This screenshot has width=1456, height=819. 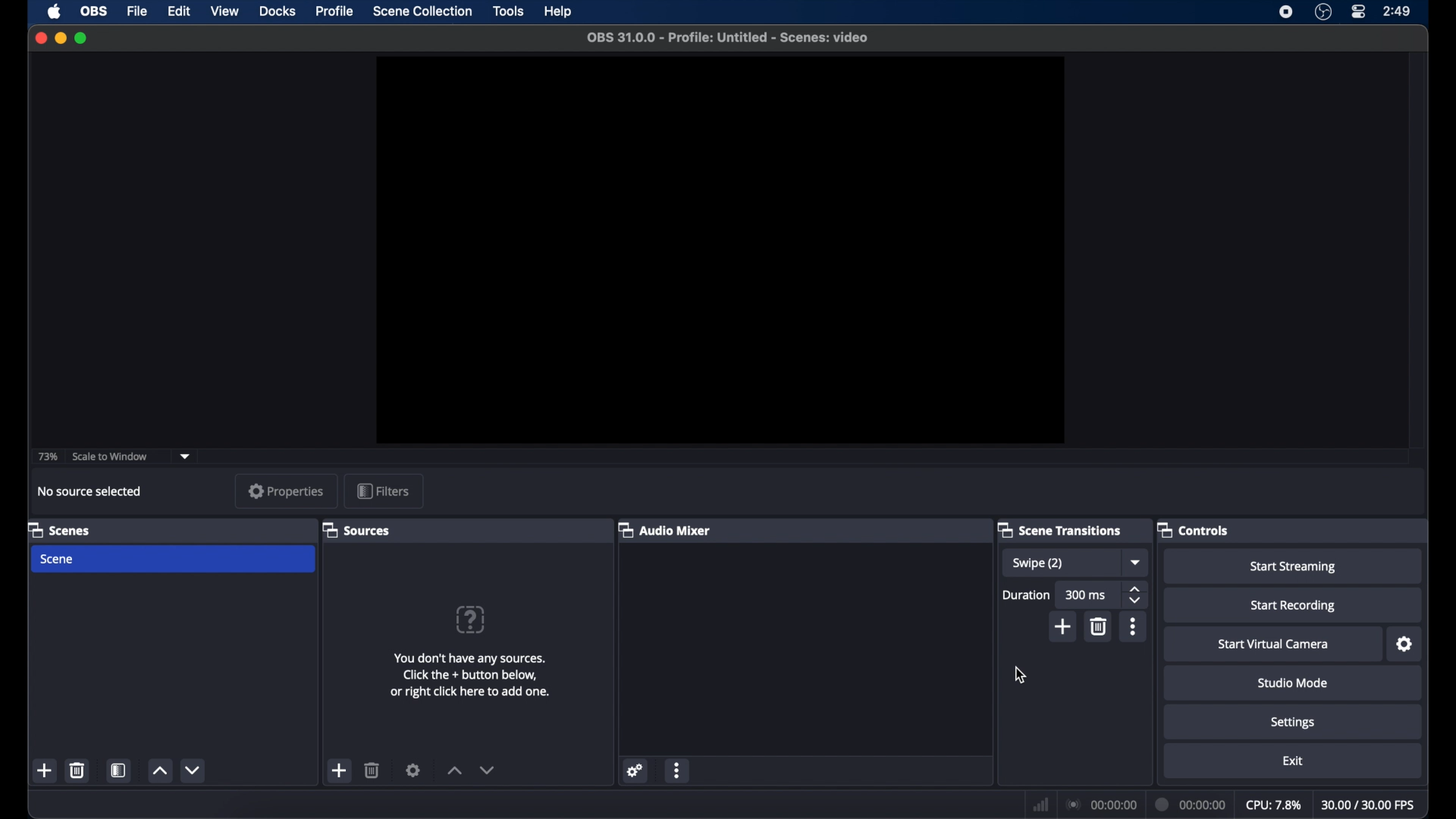 I want to click on preview, so click(x=720, y=250).